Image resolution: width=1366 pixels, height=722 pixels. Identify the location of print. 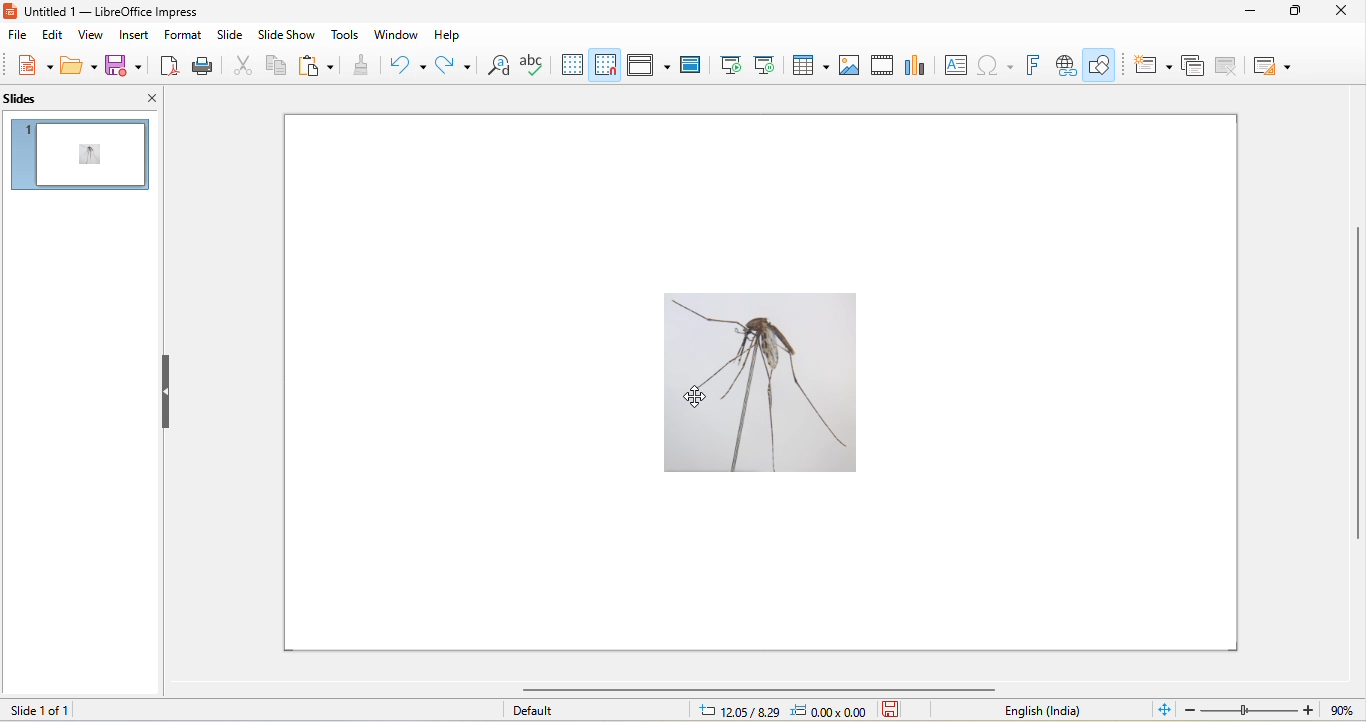
(204, 65).